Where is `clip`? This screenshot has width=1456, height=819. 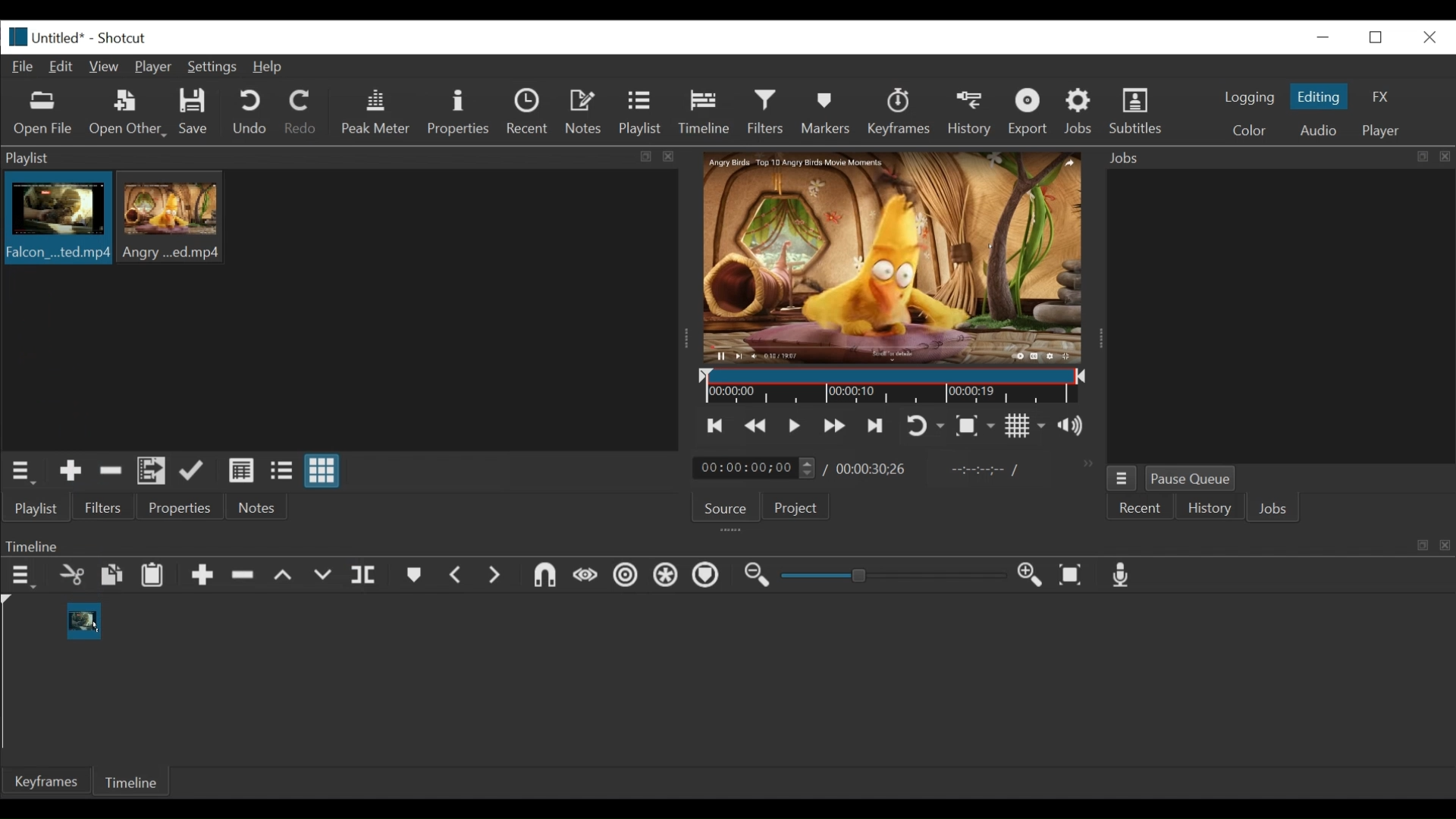
clip is located at coordinates (81, 621).